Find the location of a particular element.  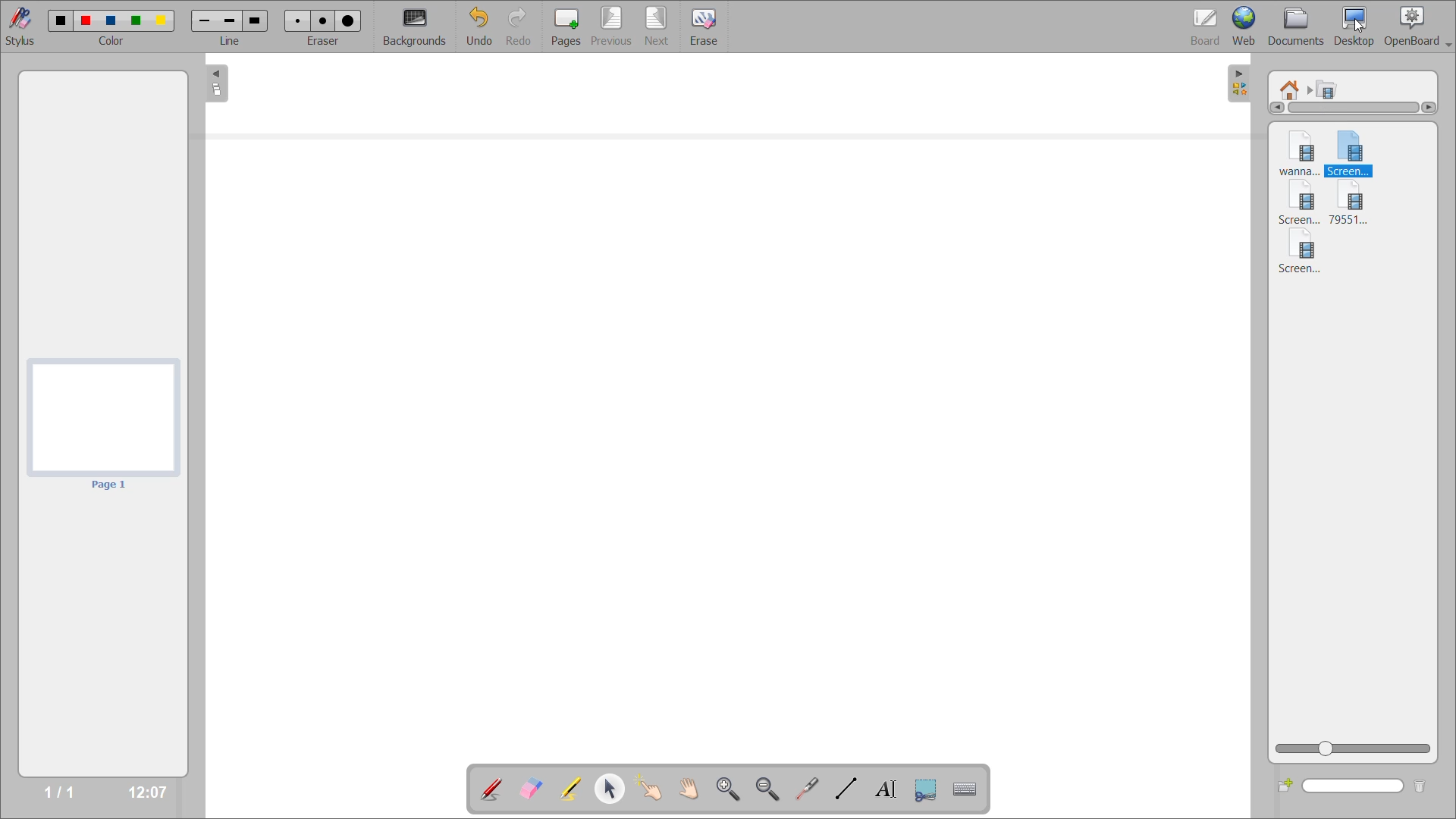

draw lines is located at coordinates (845, 790).